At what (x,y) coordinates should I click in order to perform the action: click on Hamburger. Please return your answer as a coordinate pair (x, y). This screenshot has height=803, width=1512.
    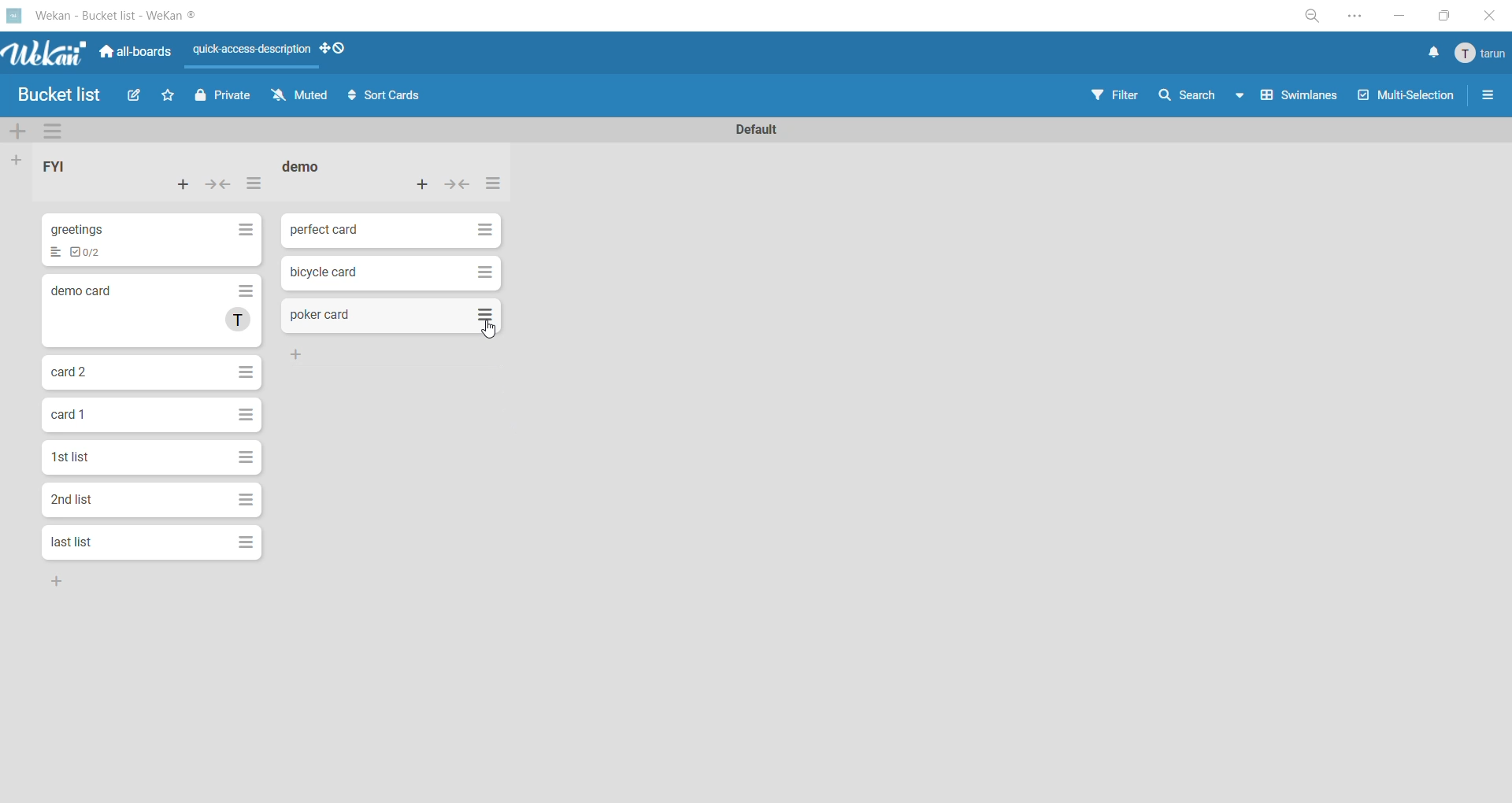
    Looking at the image, I should click on (246, 546).